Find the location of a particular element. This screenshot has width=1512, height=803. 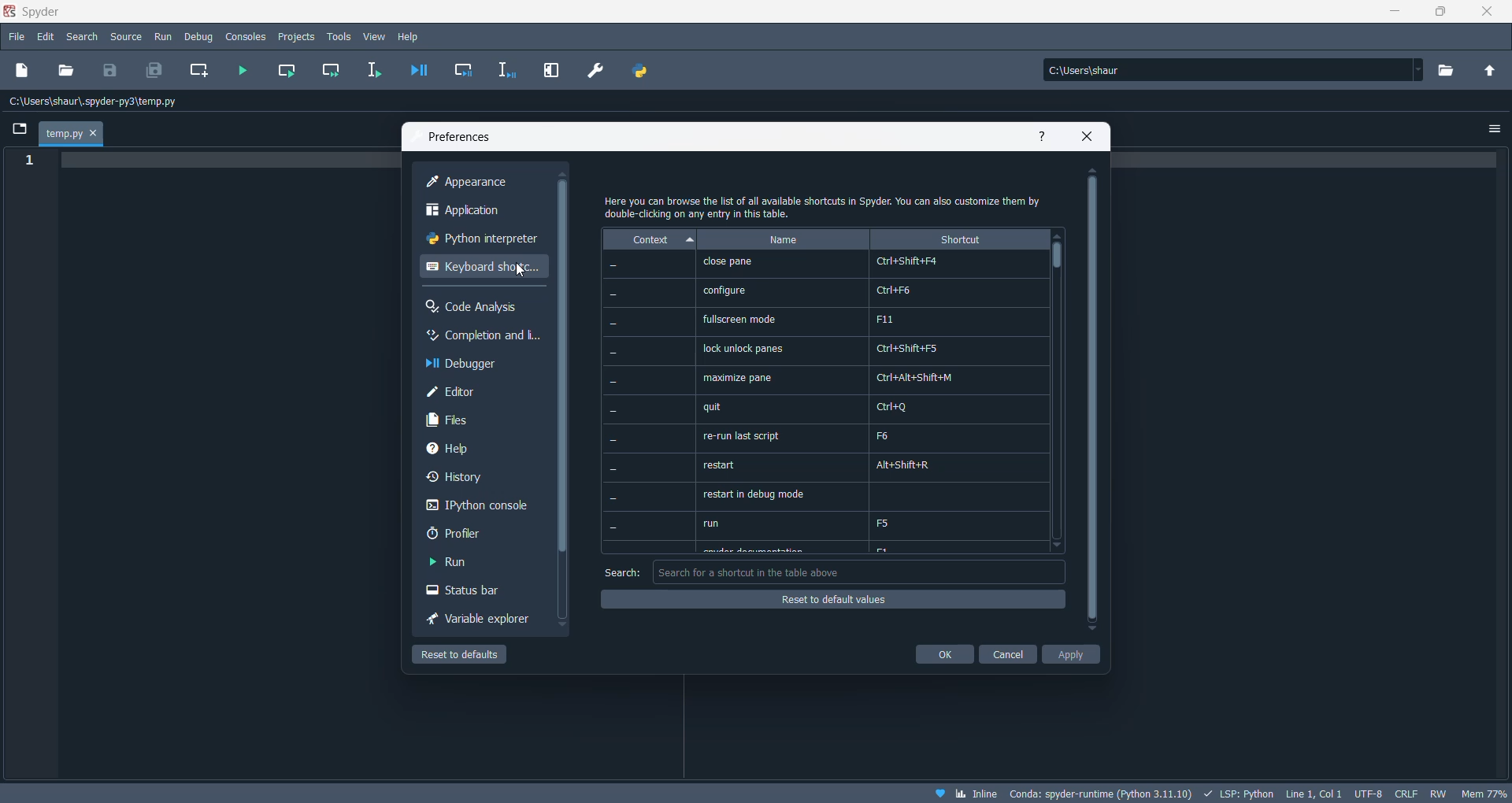

search box is located at coordinates (858, 572).